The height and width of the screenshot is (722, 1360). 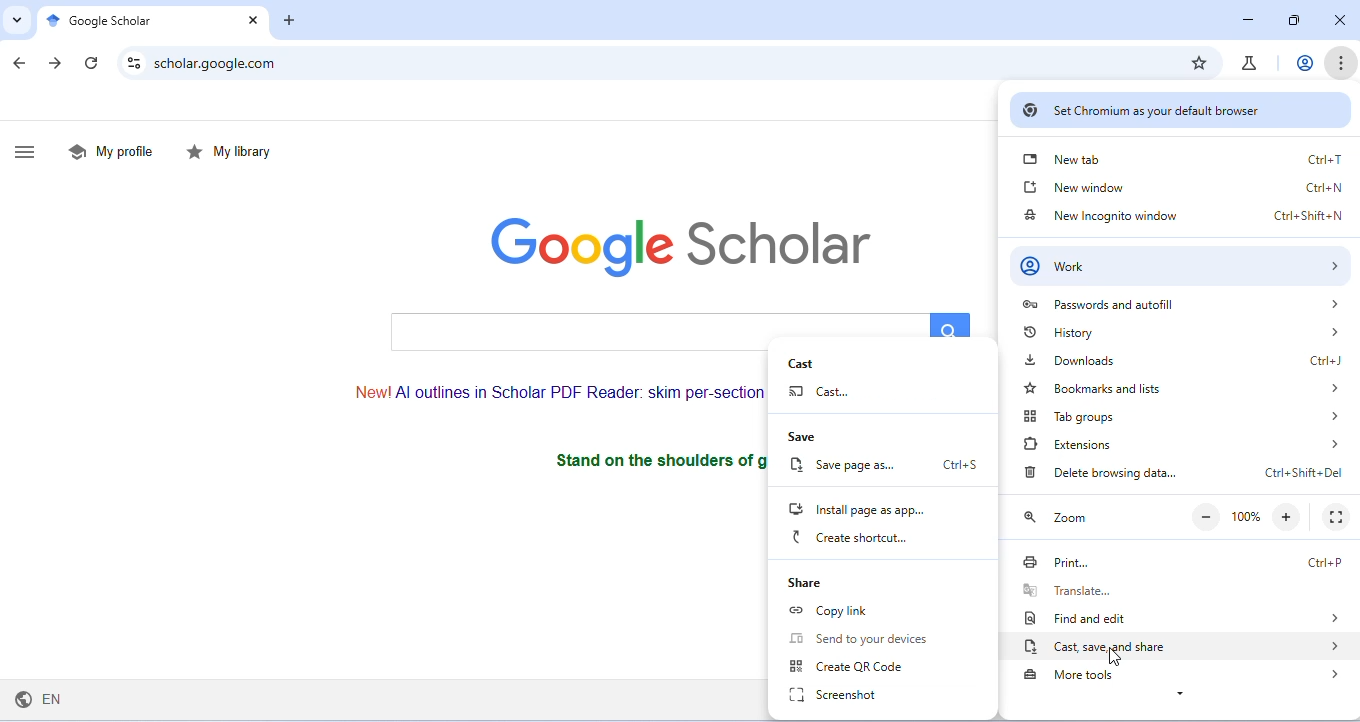 I want to click on show side bar, so click(x=31, y=150).